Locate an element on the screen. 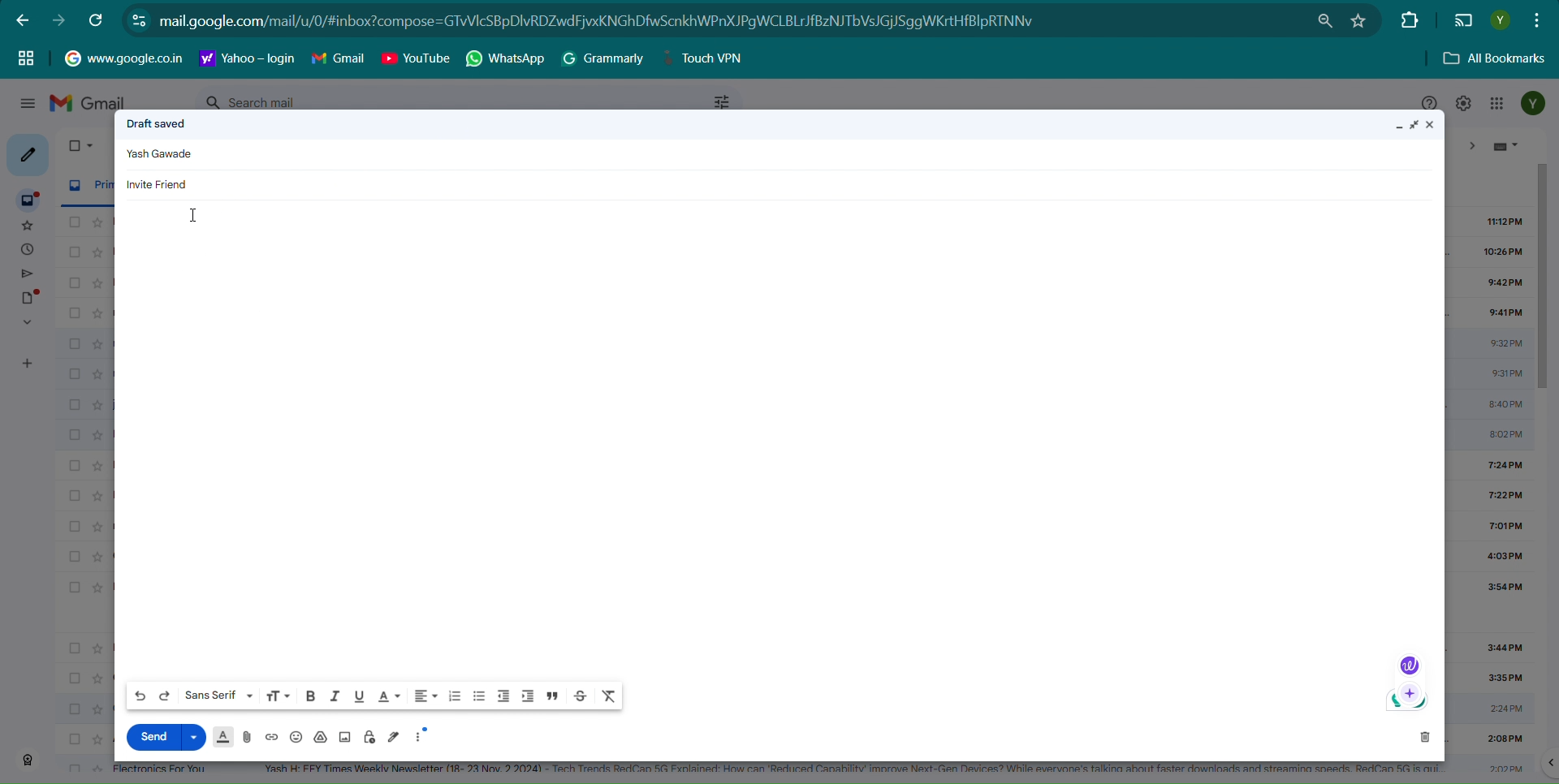  Undo is located at coordinates (140, 696).